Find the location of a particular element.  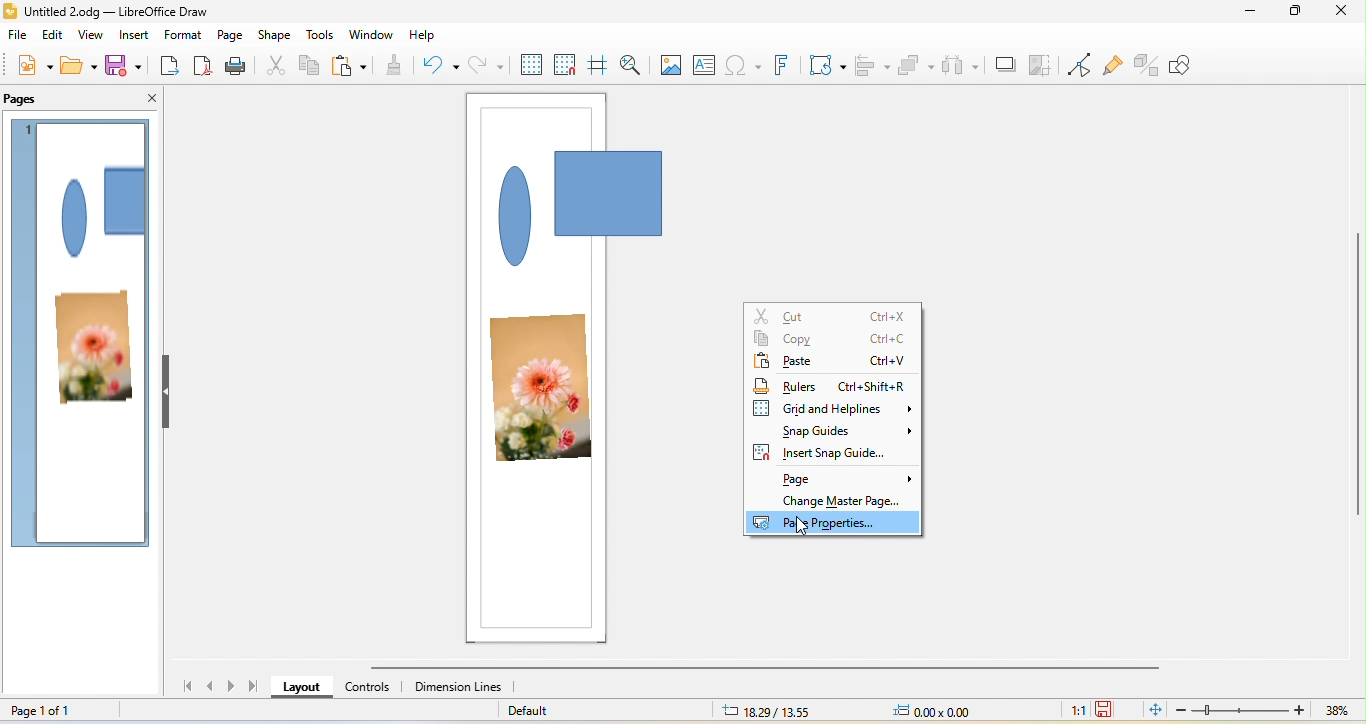

zoom is located at coordinates (1265, 711).